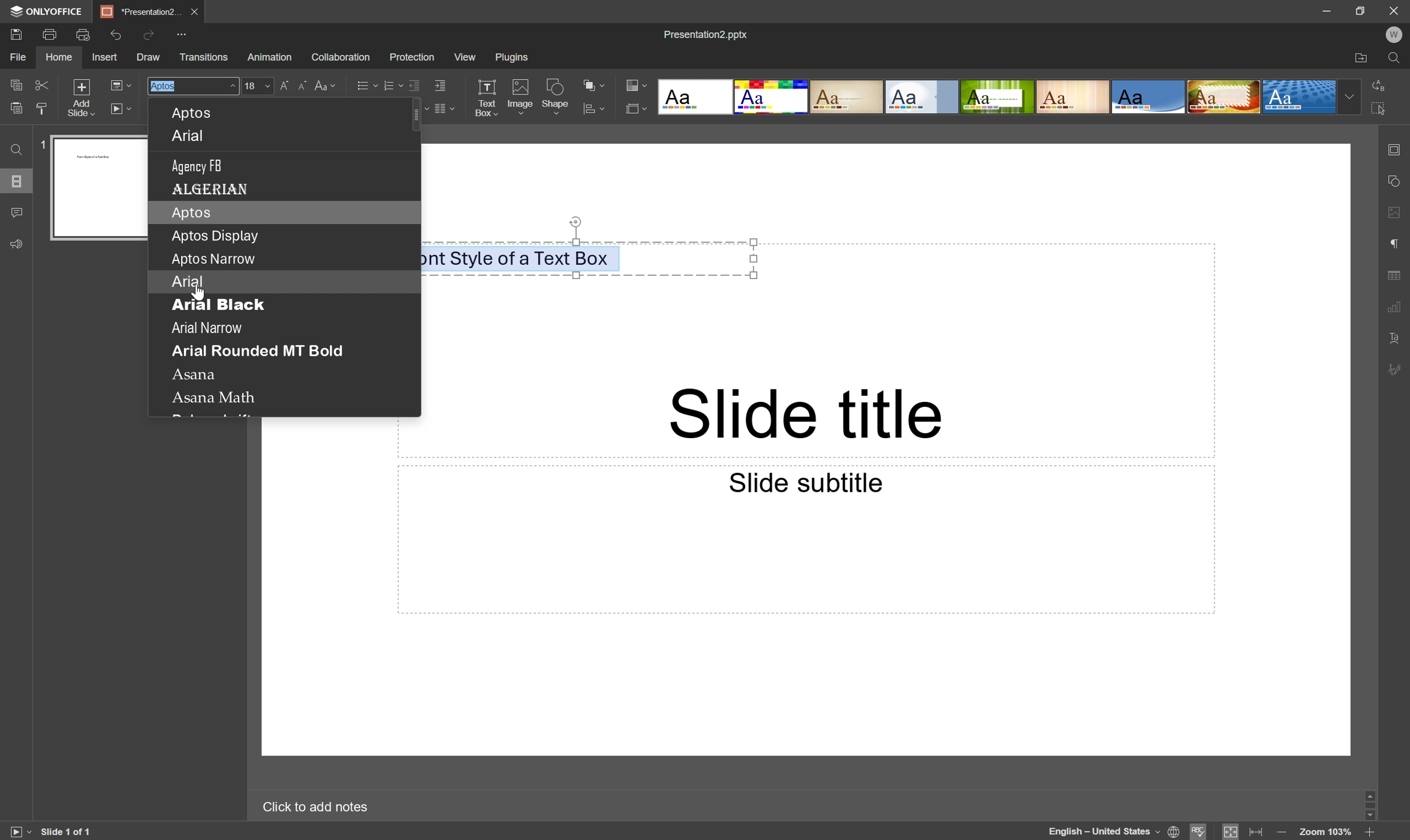  I want to click on Replace, so click(1378, 87).